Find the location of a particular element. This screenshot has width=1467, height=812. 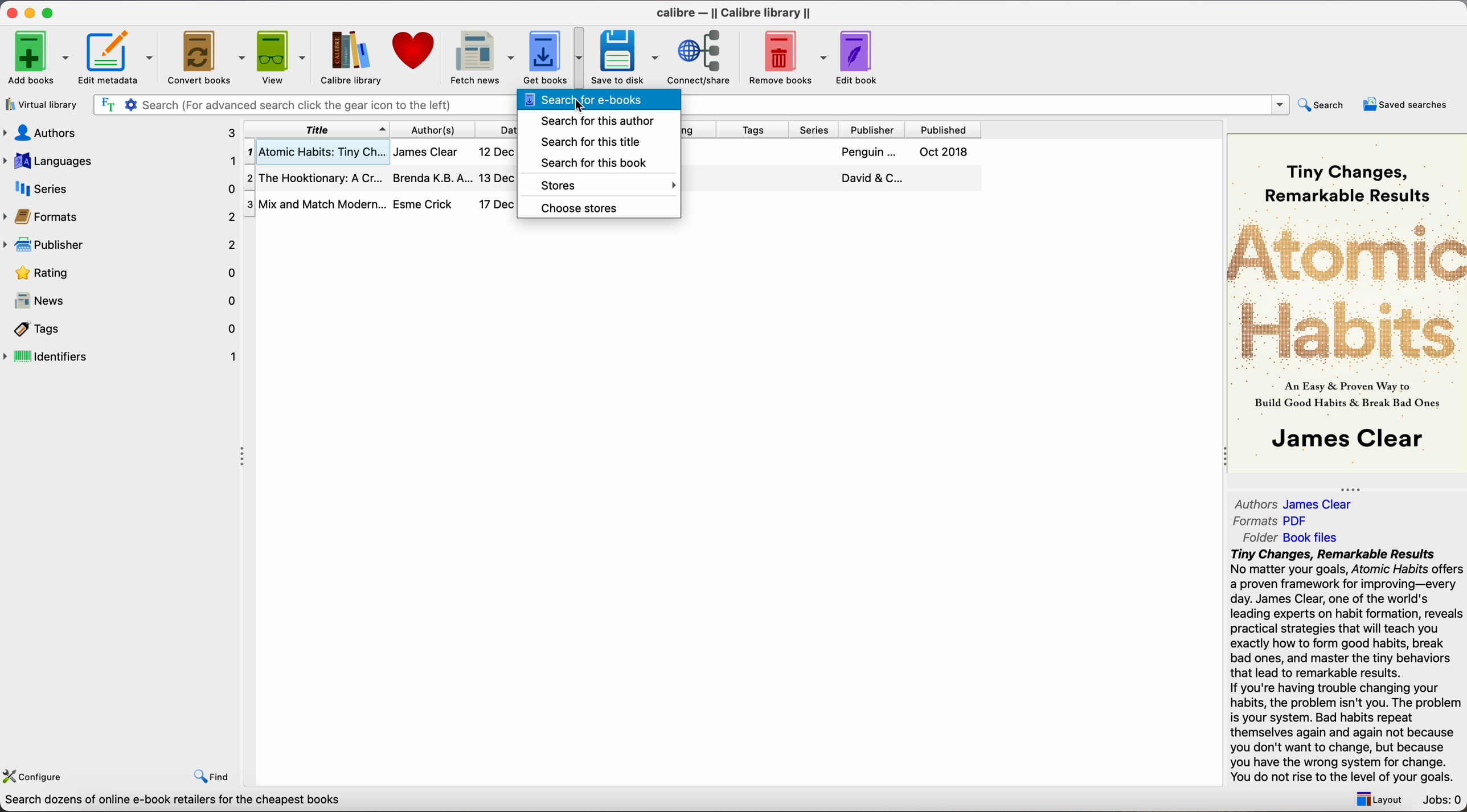

convert books is located at coordinates (208, 59).